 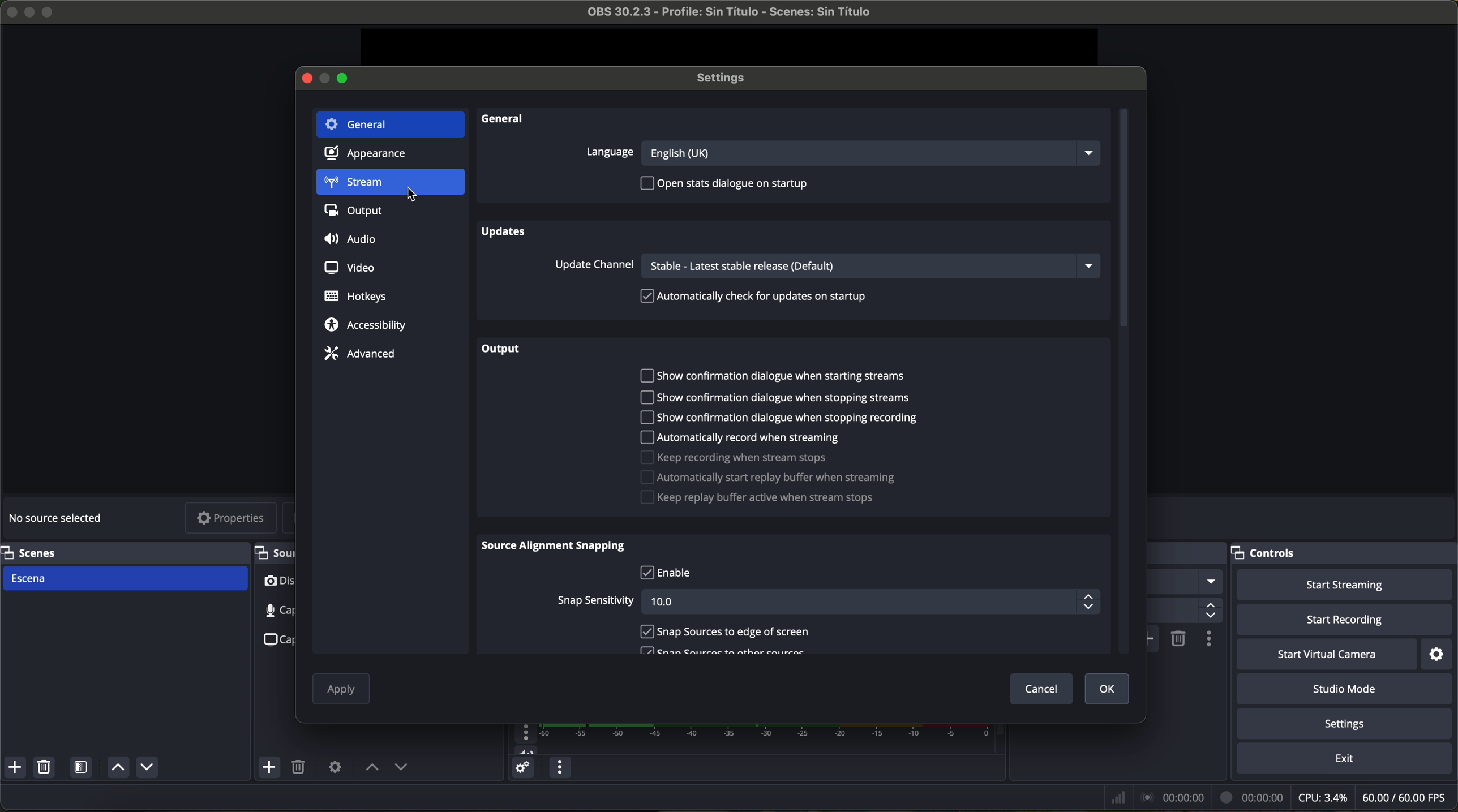 I want to click on automatically check for updates on startup, so click(x=749, y=297).